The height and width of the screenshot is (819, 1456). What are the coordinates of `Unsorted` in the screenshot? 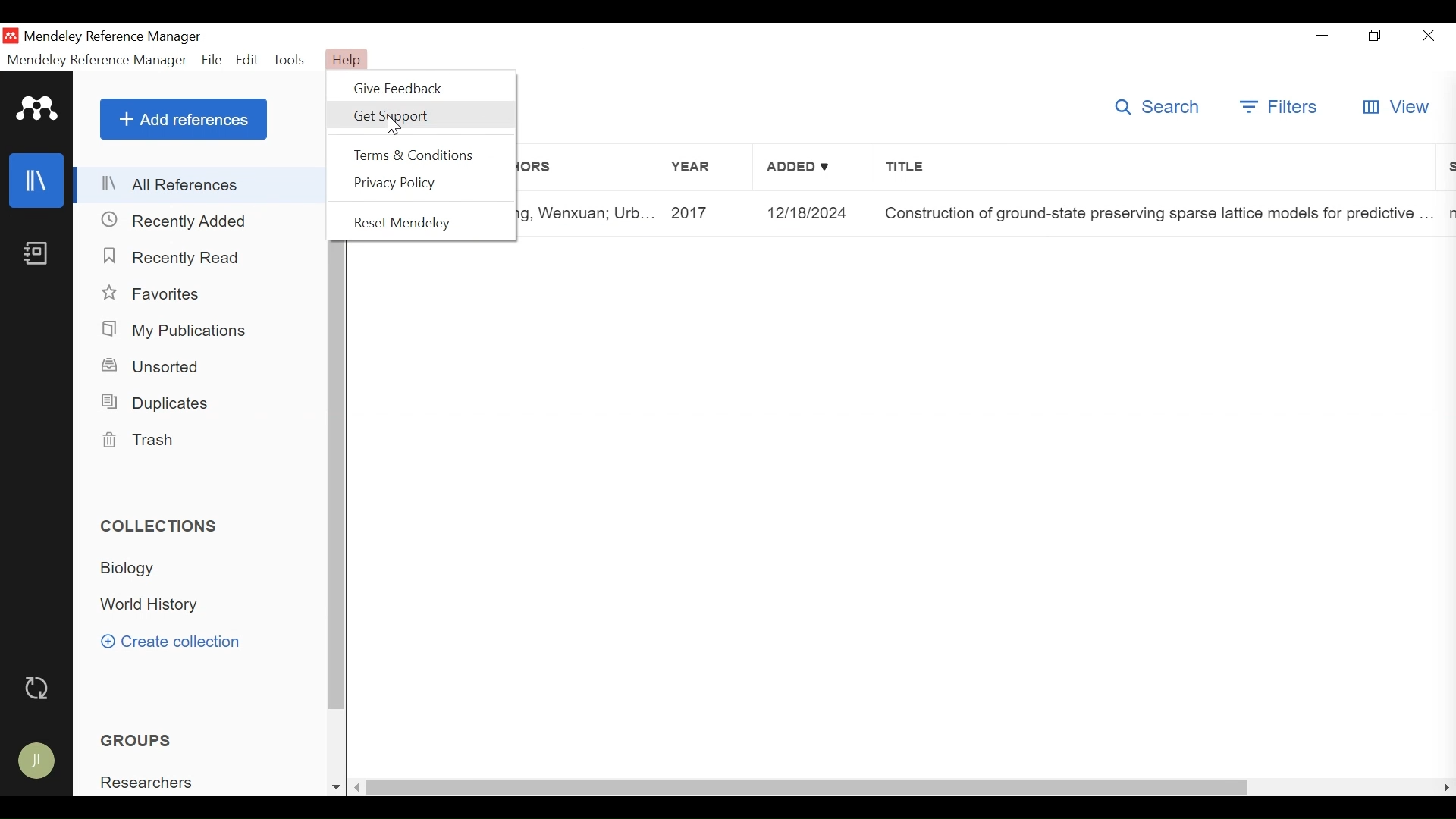 It's located at (156, 366).